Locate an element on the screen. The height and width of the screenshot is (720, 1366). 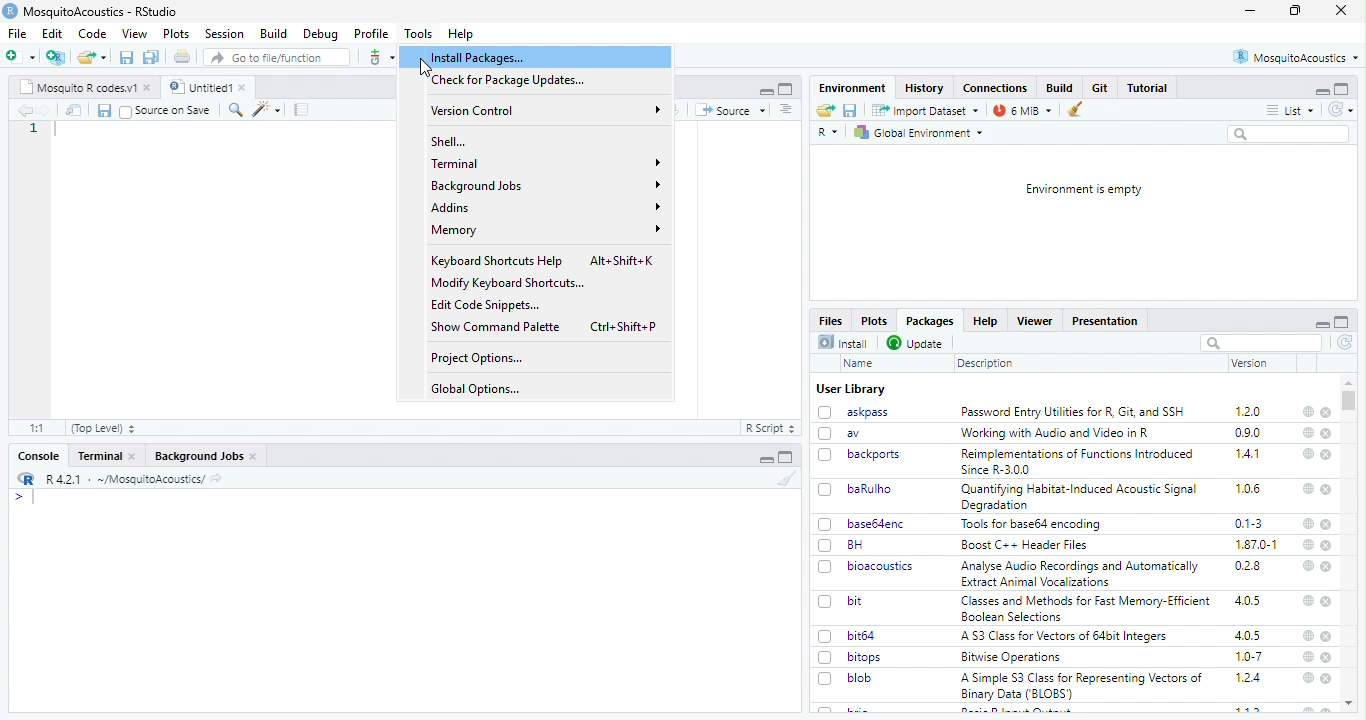
Keyboard Shortcuts Help is located at coordinates (498, 261).